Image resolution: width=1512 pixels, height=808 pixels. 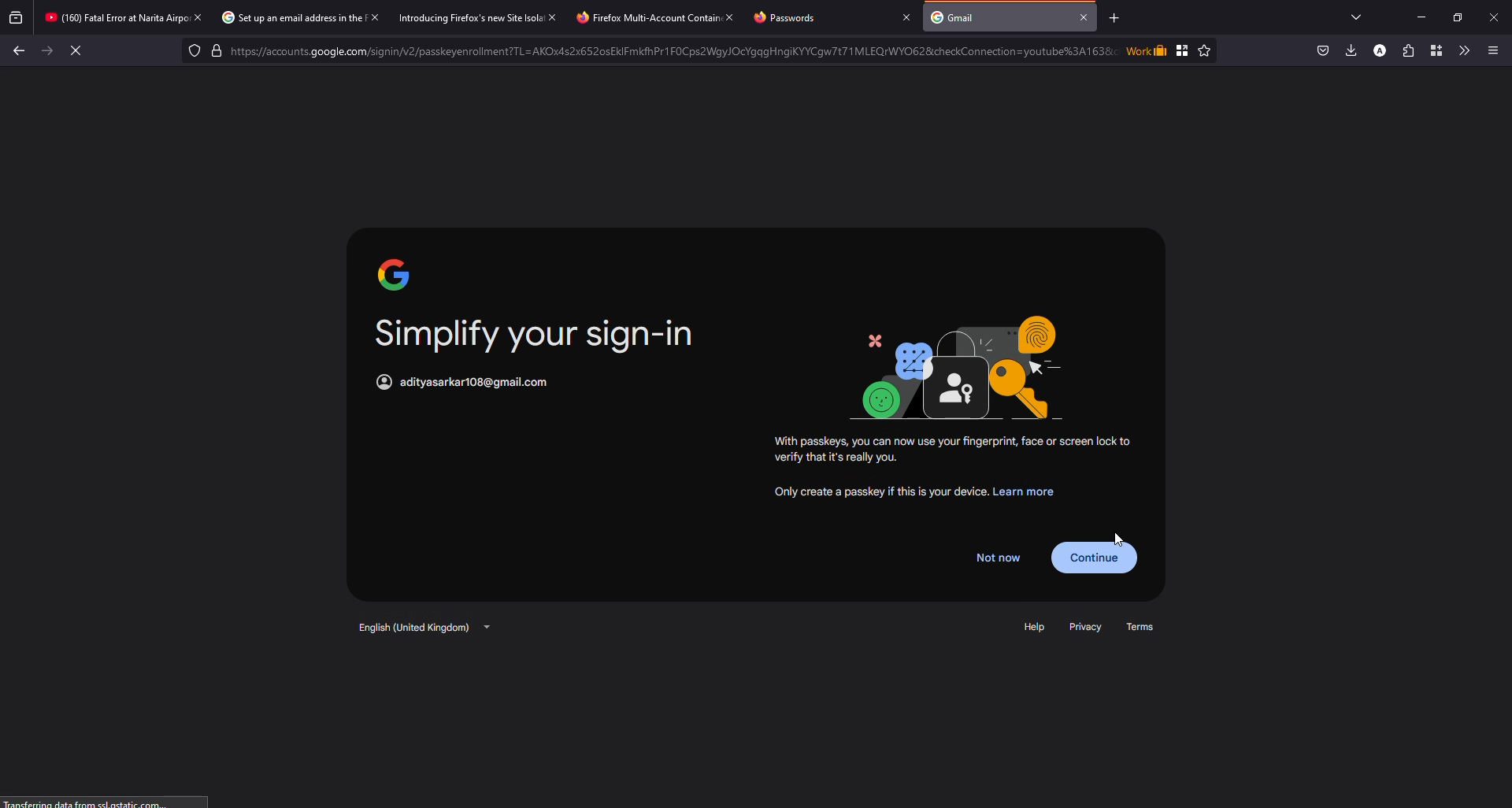 What do you see at coordinates (76, 49) in the screenshot?
I see `Refresh` at bounding box center [76, 49].